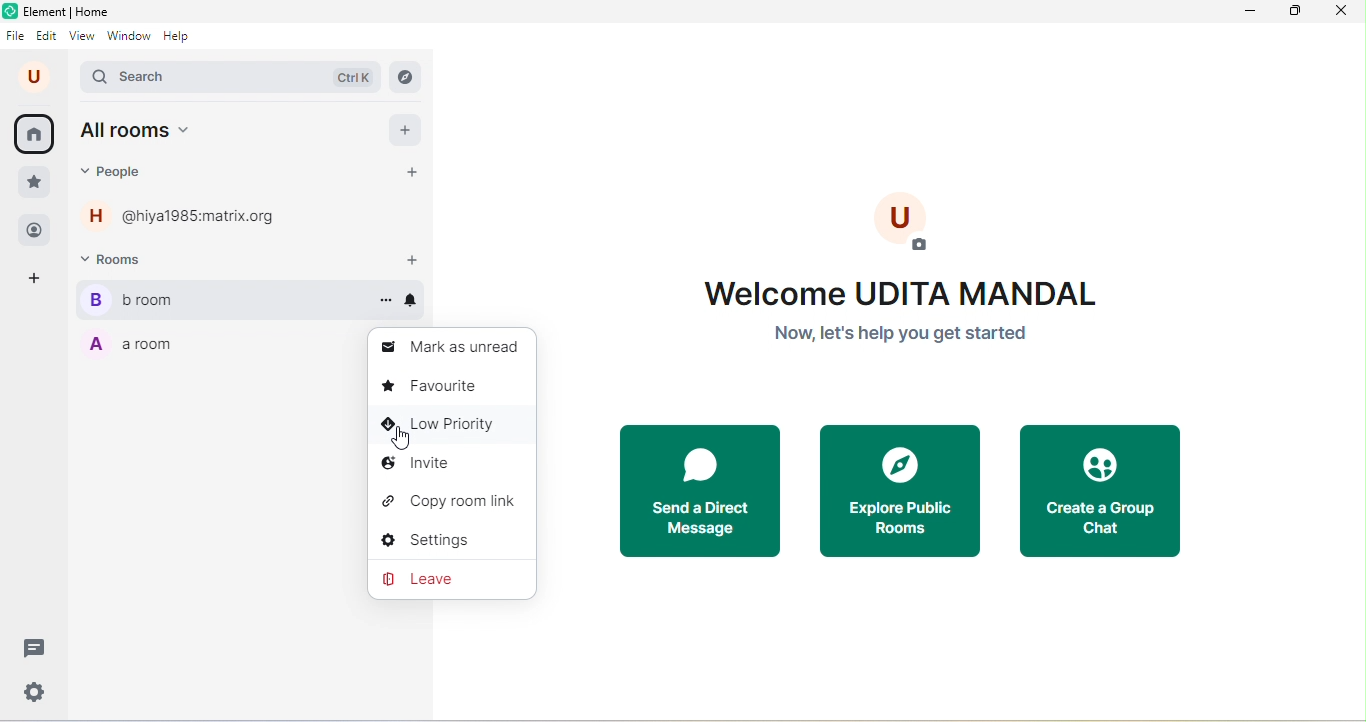 The height and width of the screenshot is (722, 1366). What do you see at coordinates (412, 176) in the screenshot?
I see `start a chat` at bounding box center [412, 176].